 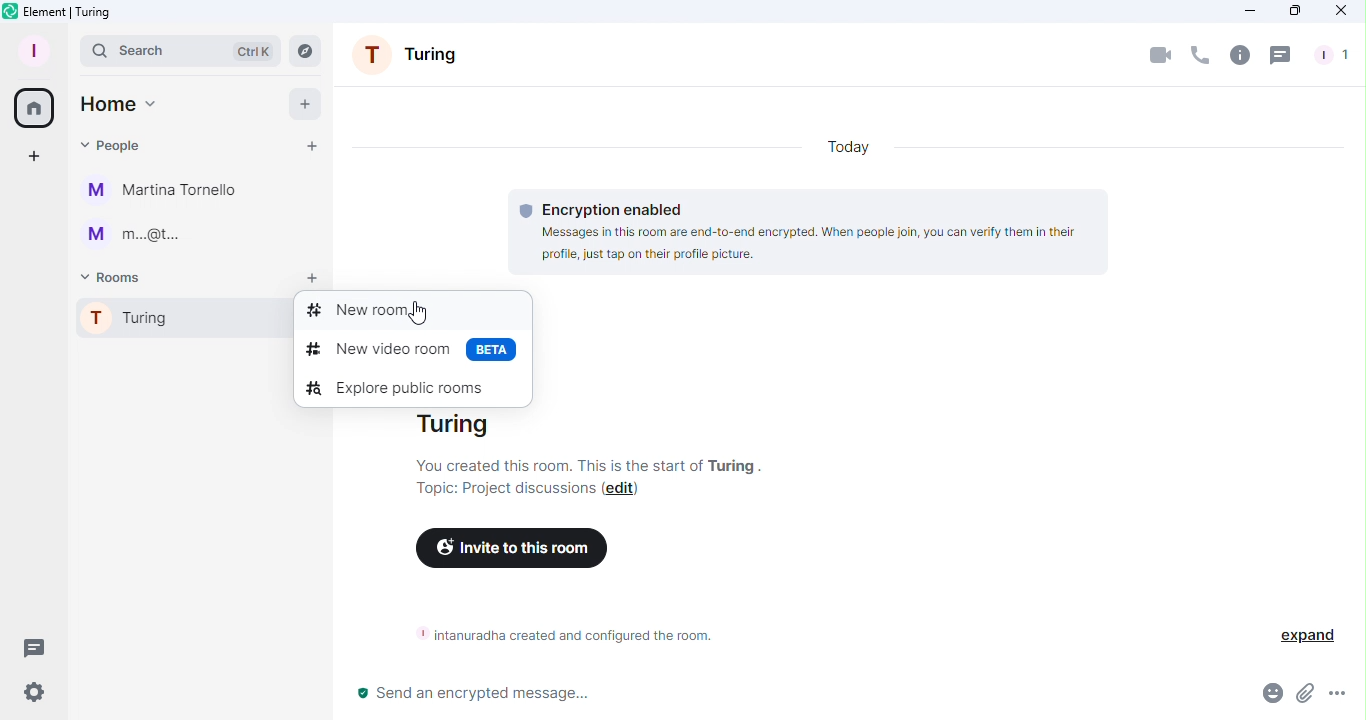 I want to click on Information, so click(x=557, y=634).